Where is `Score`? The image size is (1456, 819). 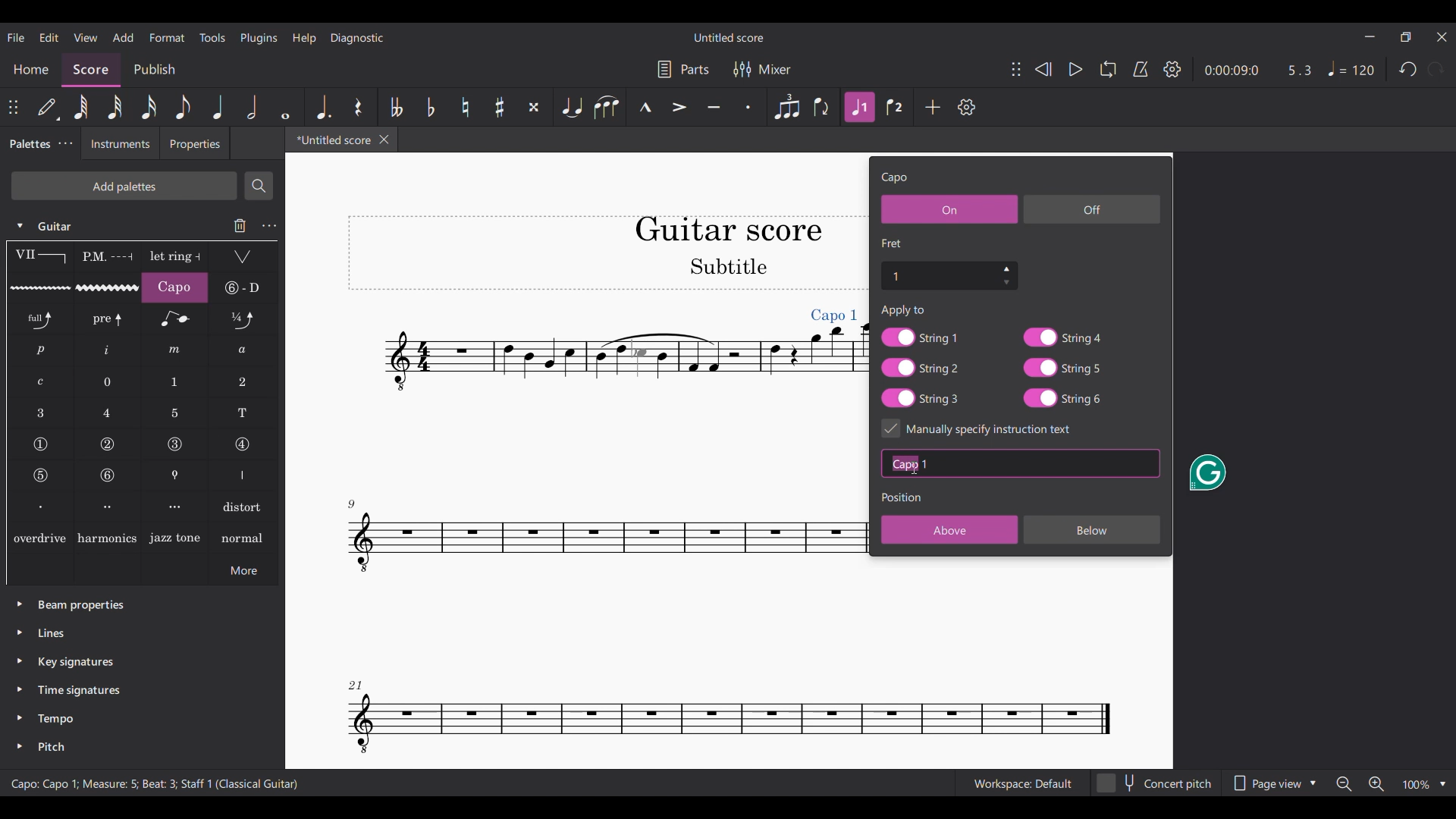
Score is located at coordinates (92, 70).